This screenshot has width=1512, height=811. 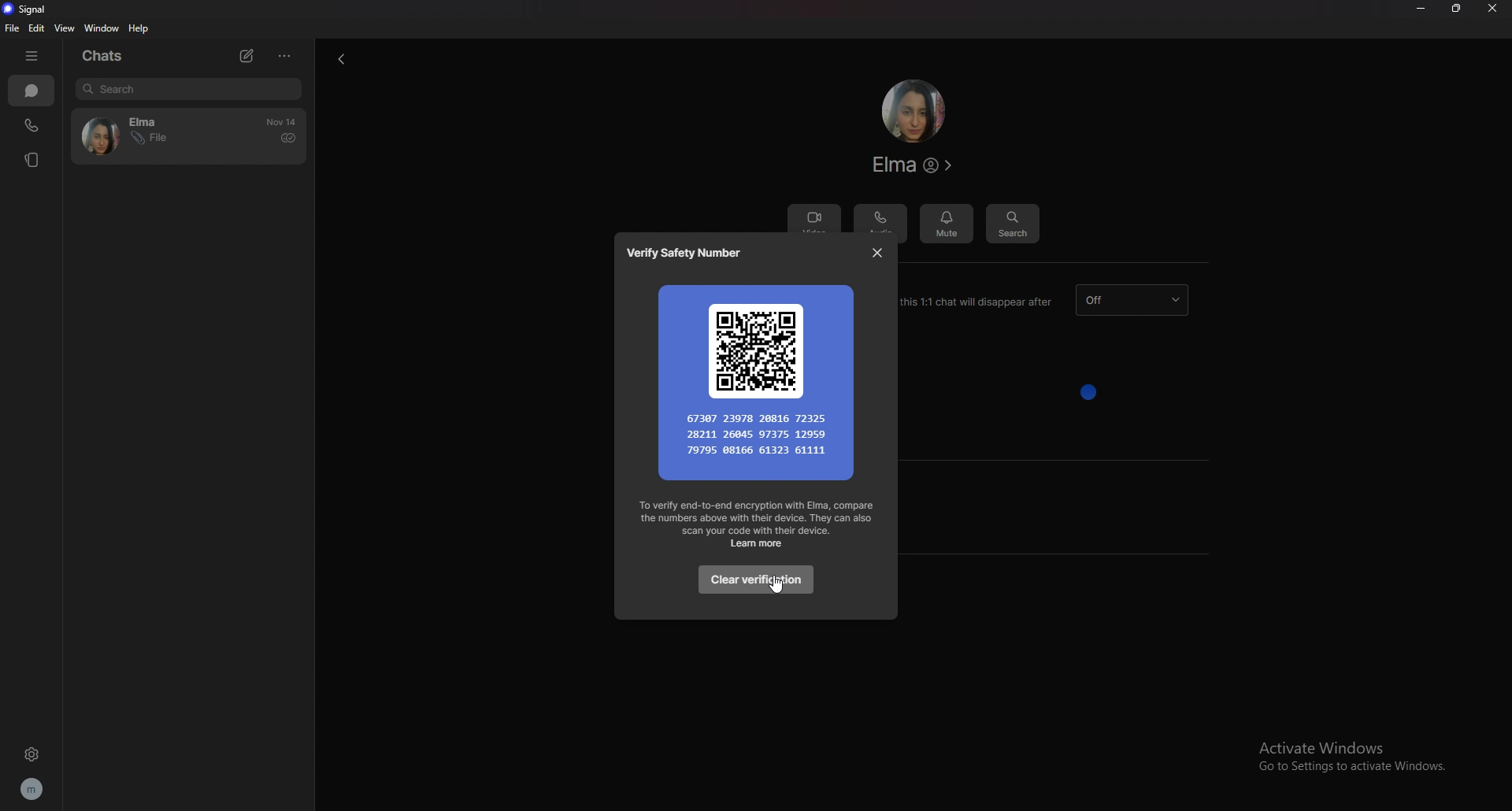 What do you see at coordinates (690, 254) in the screenshot?
I see `verify safety number` at bounding box center [690, 254].